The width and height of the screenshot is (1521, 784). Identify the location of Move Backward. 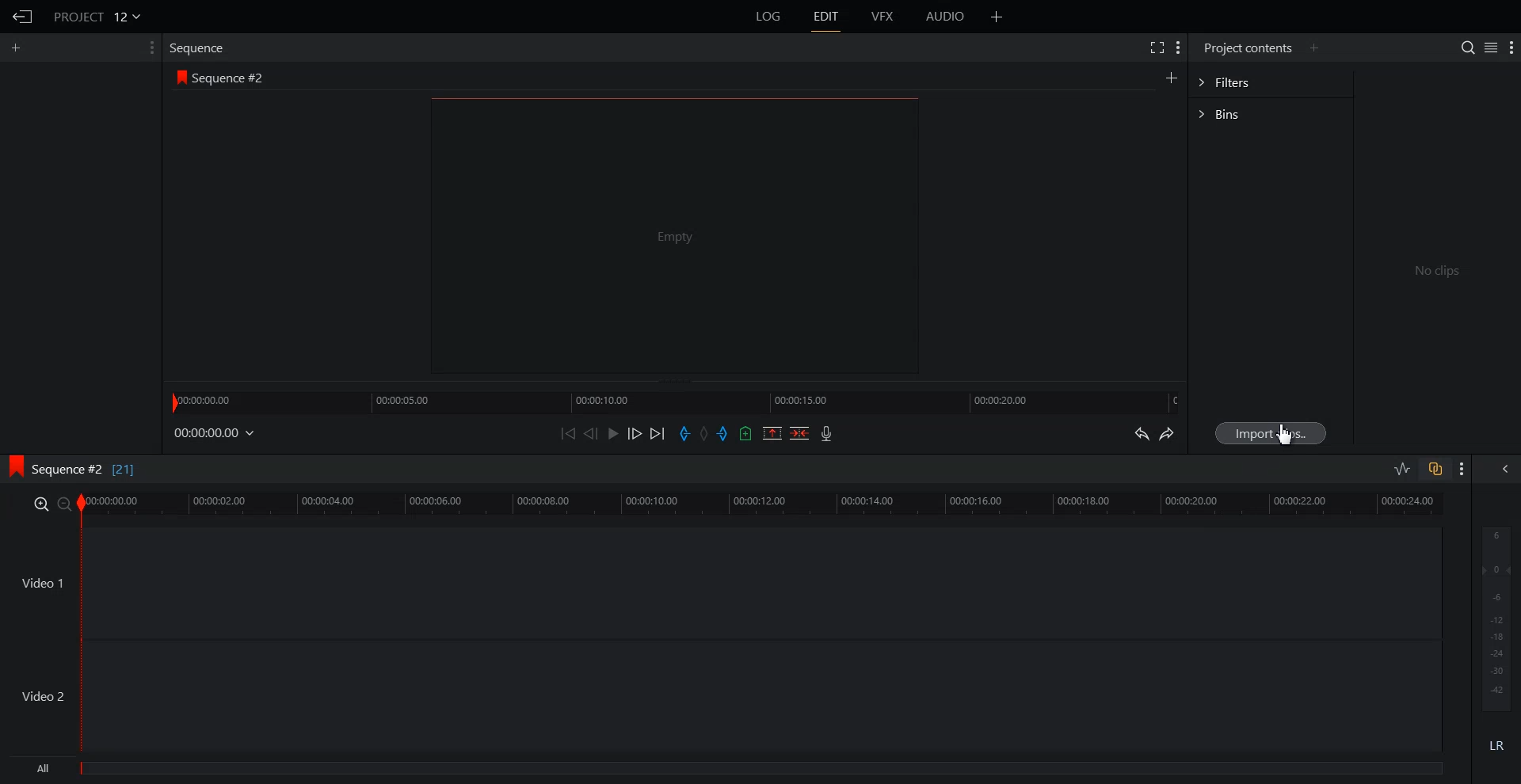
(570, 432).